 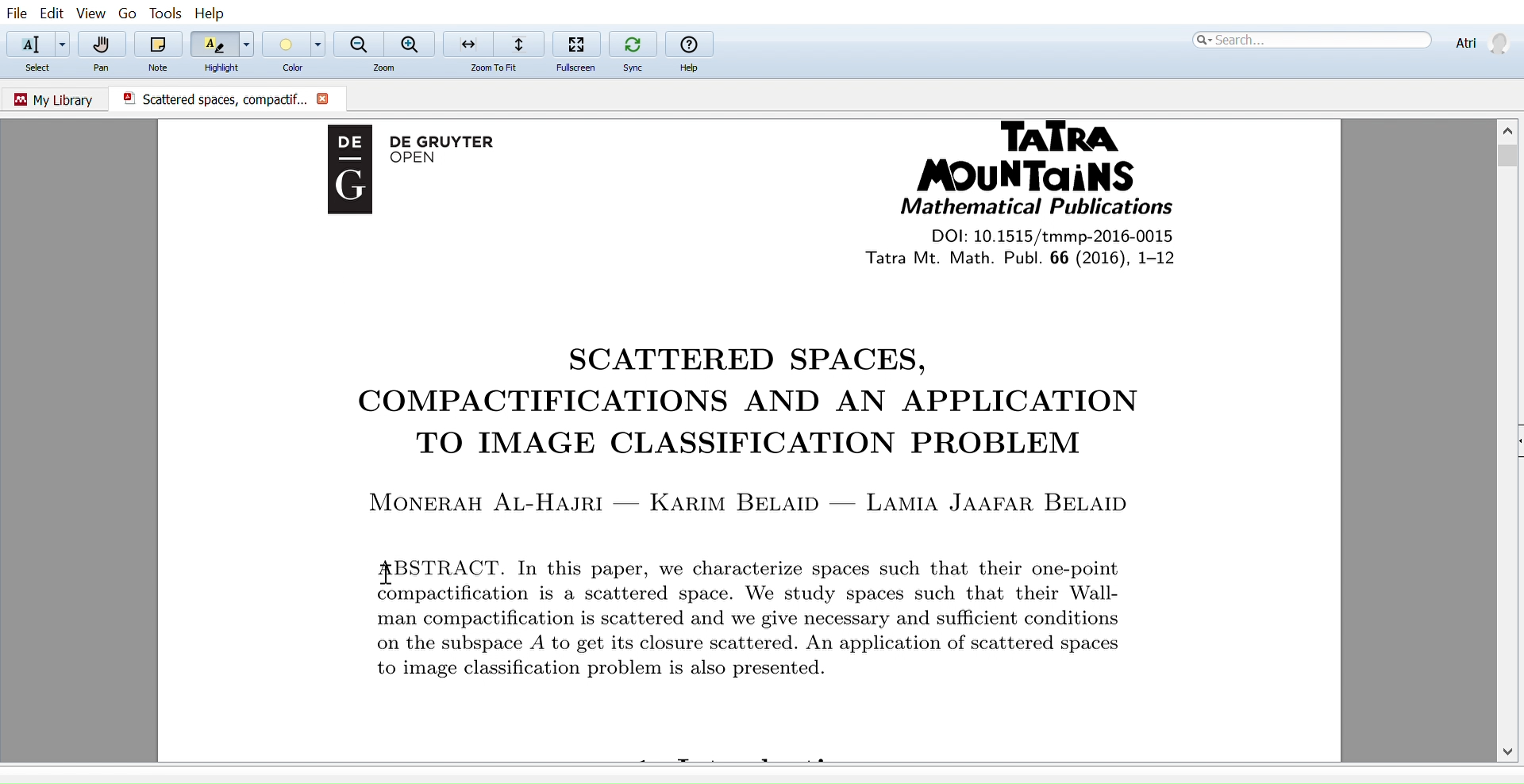 I want to click on De Gruyter OPEN, so click(x=458, y=153).